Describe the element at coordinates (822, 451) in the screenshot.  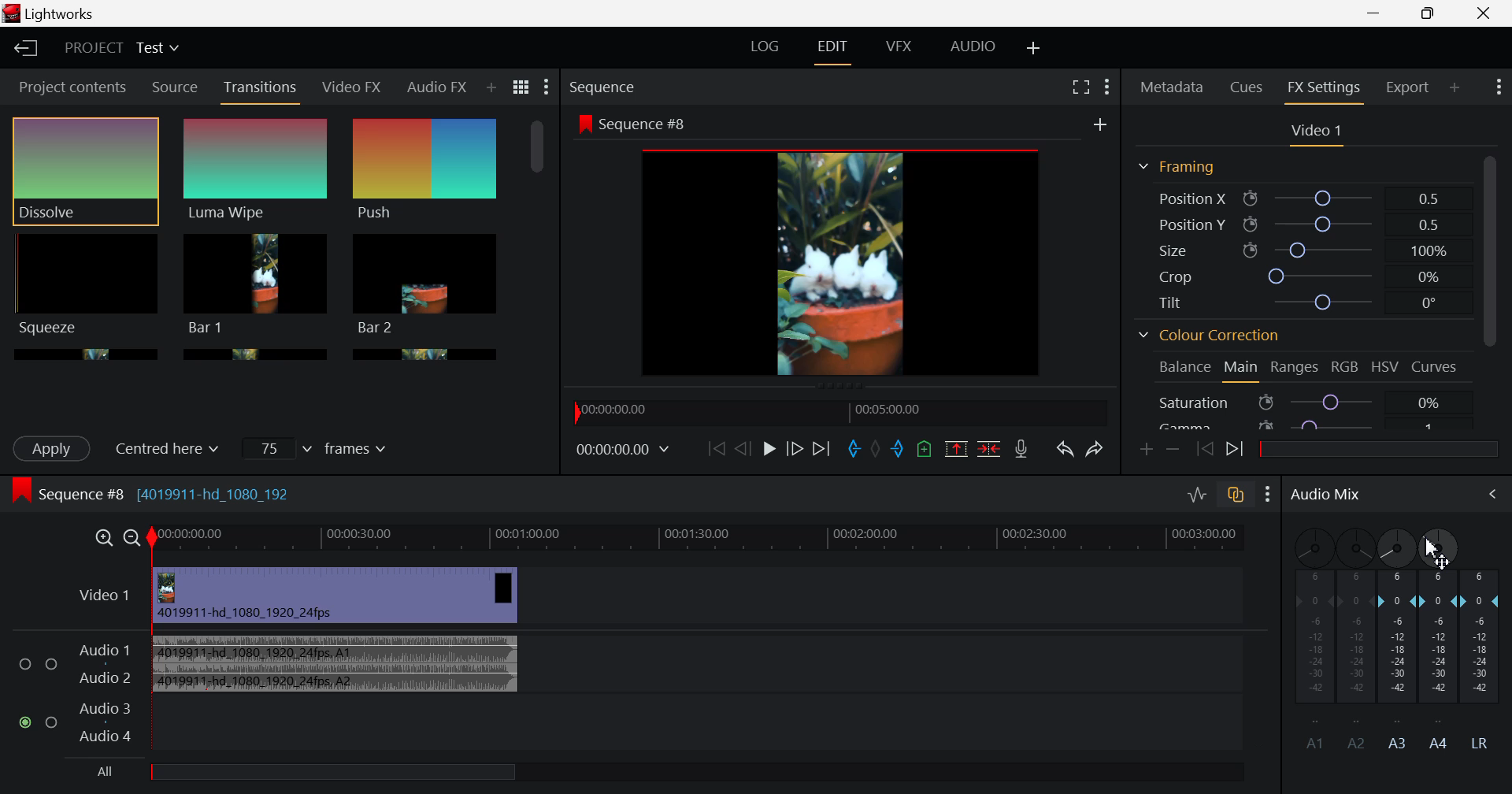
I see `To End` at that location.